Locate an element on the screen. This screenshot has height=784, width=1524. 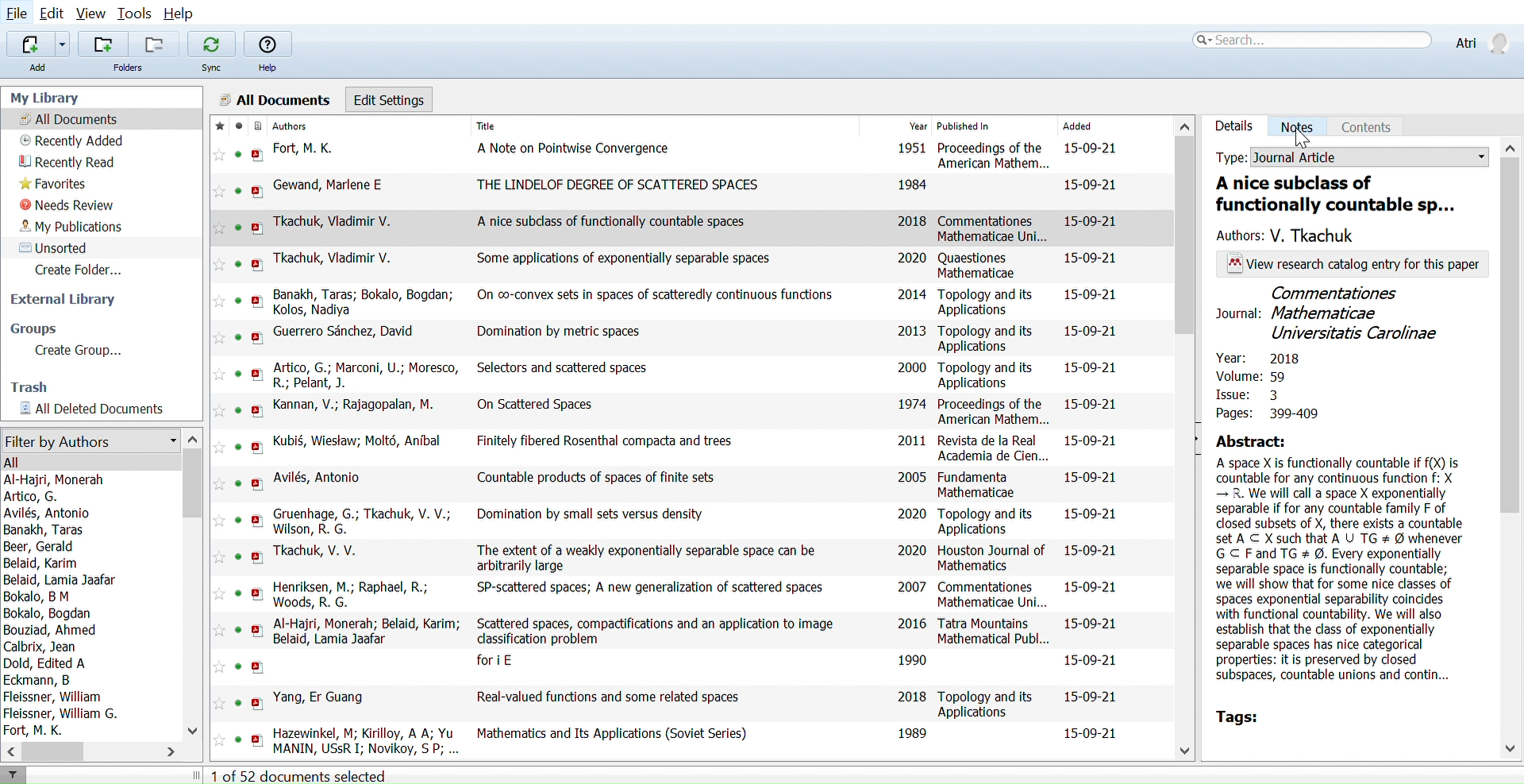
Tags: is located at coordinates (1240, 720).